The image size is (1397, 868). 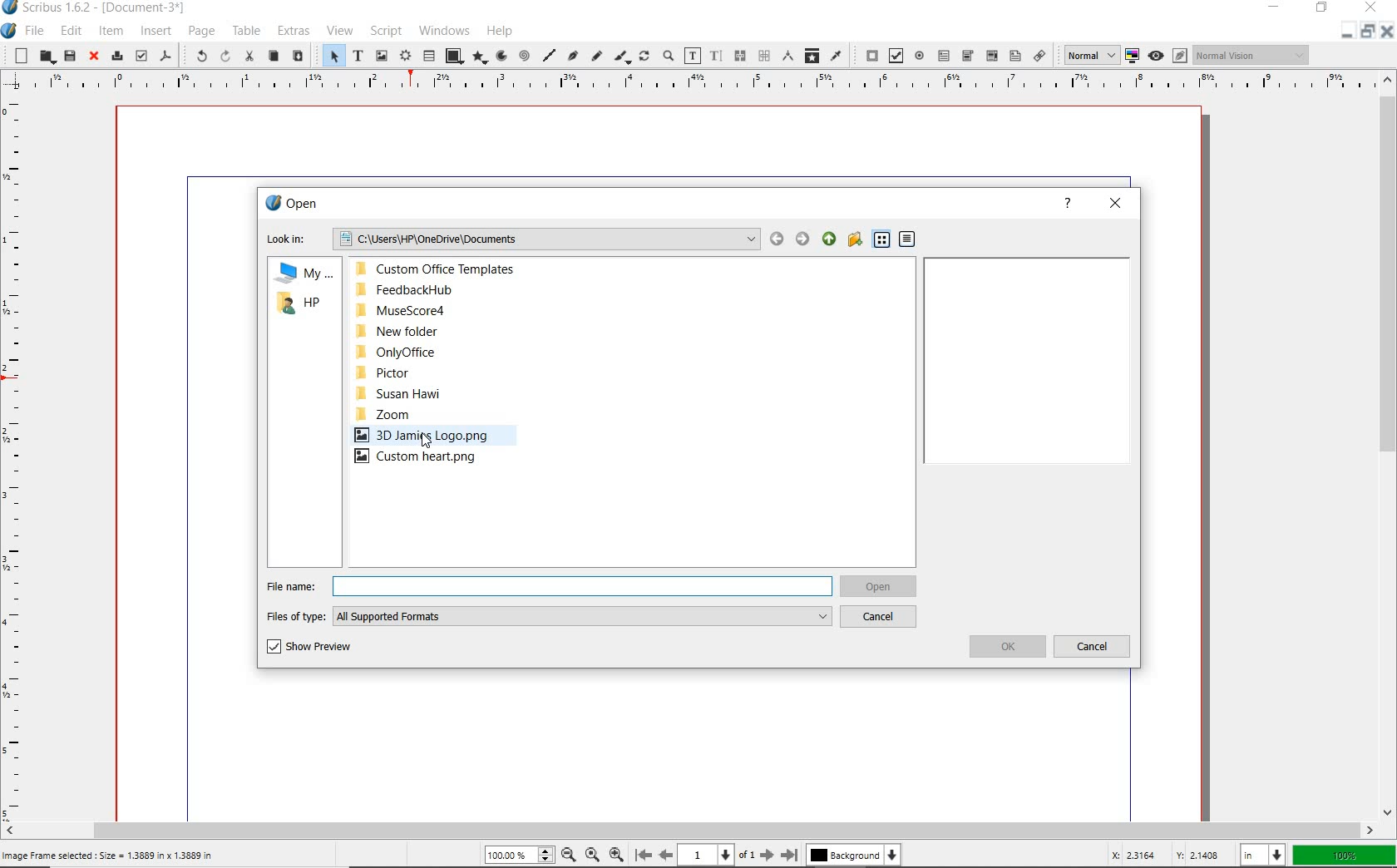 What do you see at coordinates (450, 269) in the screenshot?
I see `custom office templates` at bounding box center [450, 269].